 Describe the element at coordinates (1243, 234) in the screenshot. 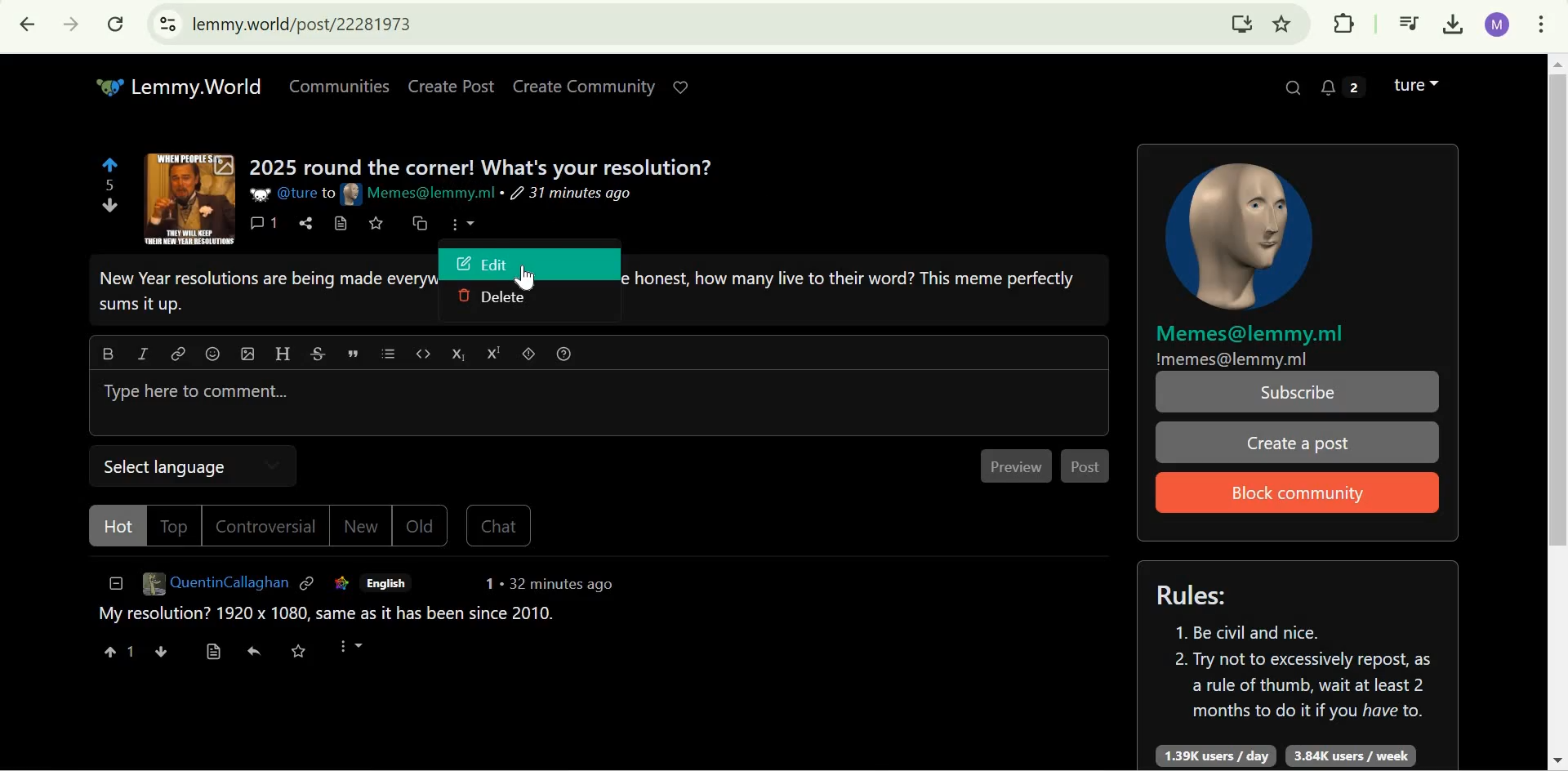

I see `community icon` at that location.